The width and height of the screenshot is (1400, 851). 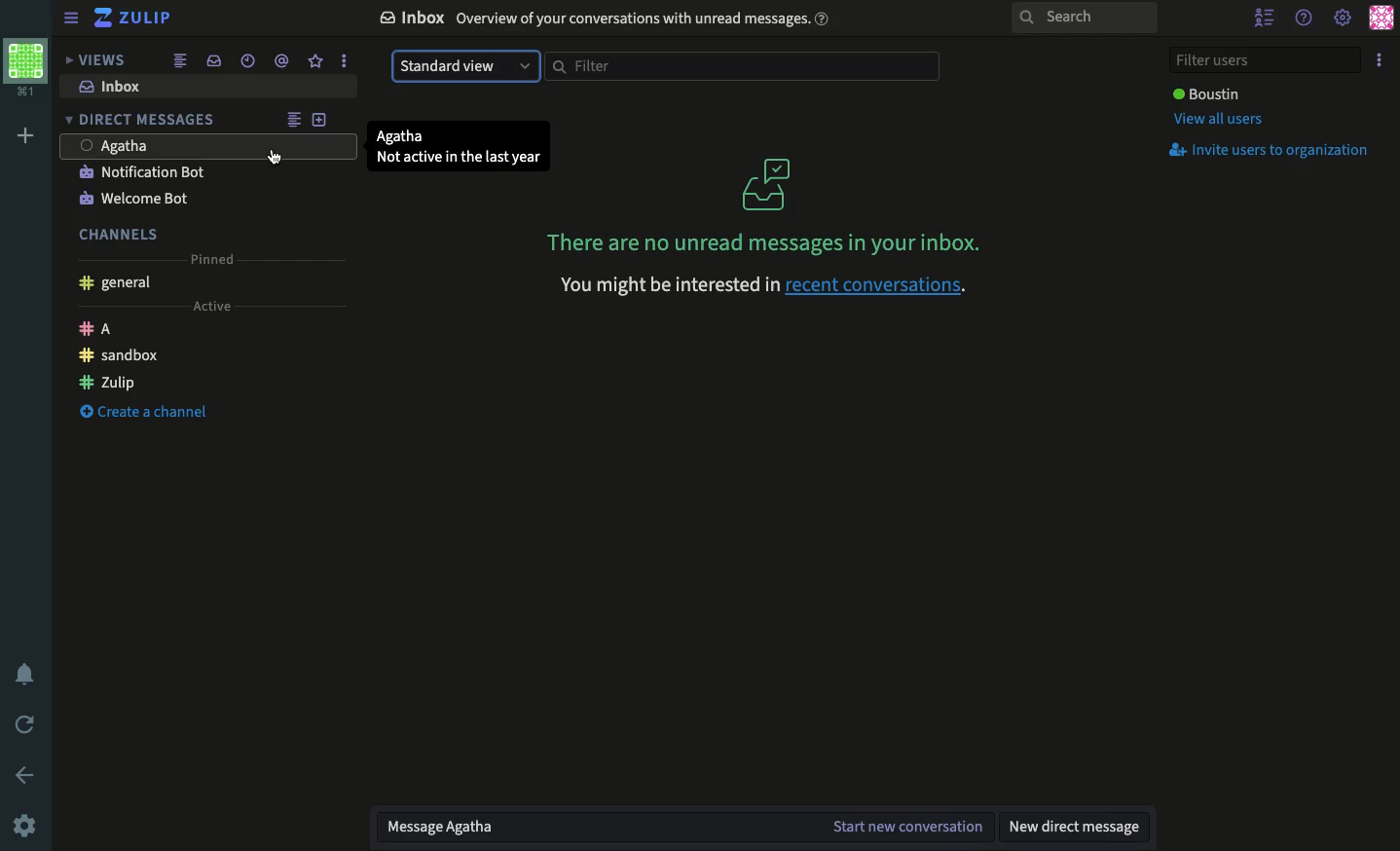 I want to click on No unread messages, so click(x=772, y=209).